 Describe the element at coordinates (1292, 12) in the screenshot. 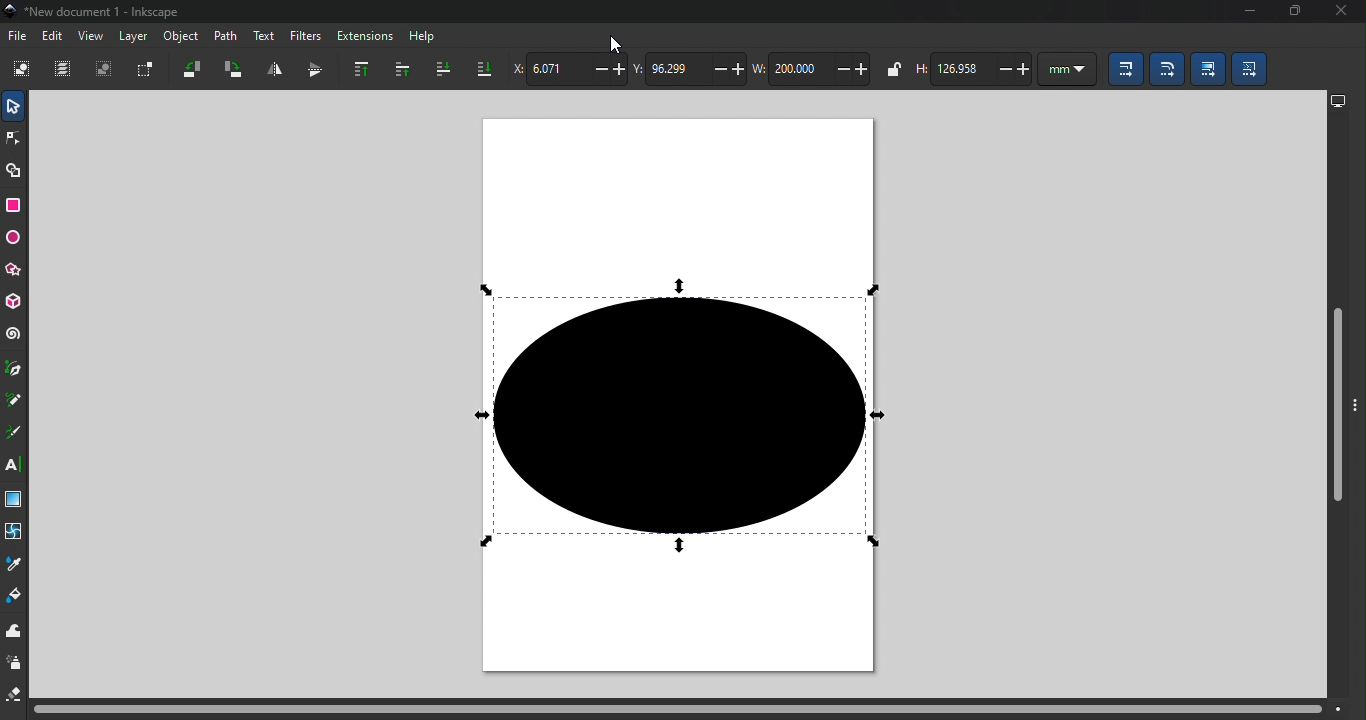

I see `Maximize` at that location.